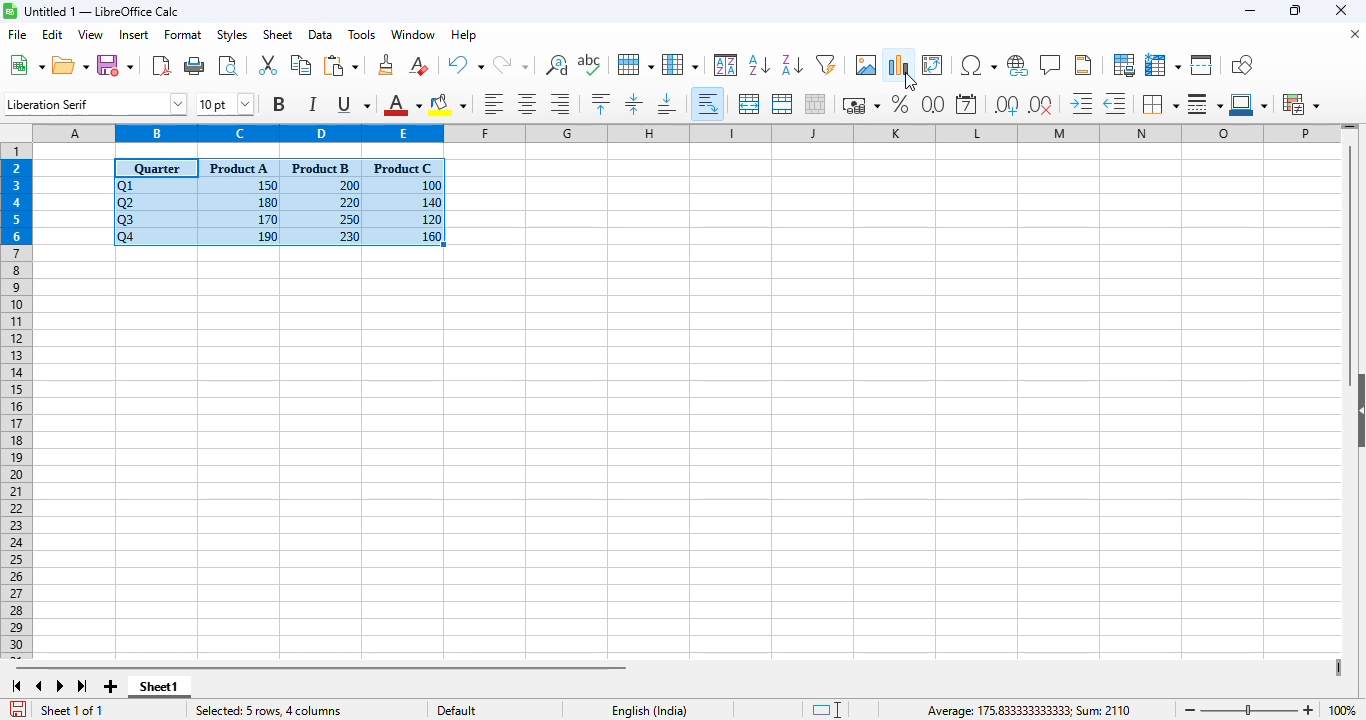 This screenshot has height=720, width=1366. Describe the element at coordinates (195, 65) in the screenshot. I see `print` at that location.